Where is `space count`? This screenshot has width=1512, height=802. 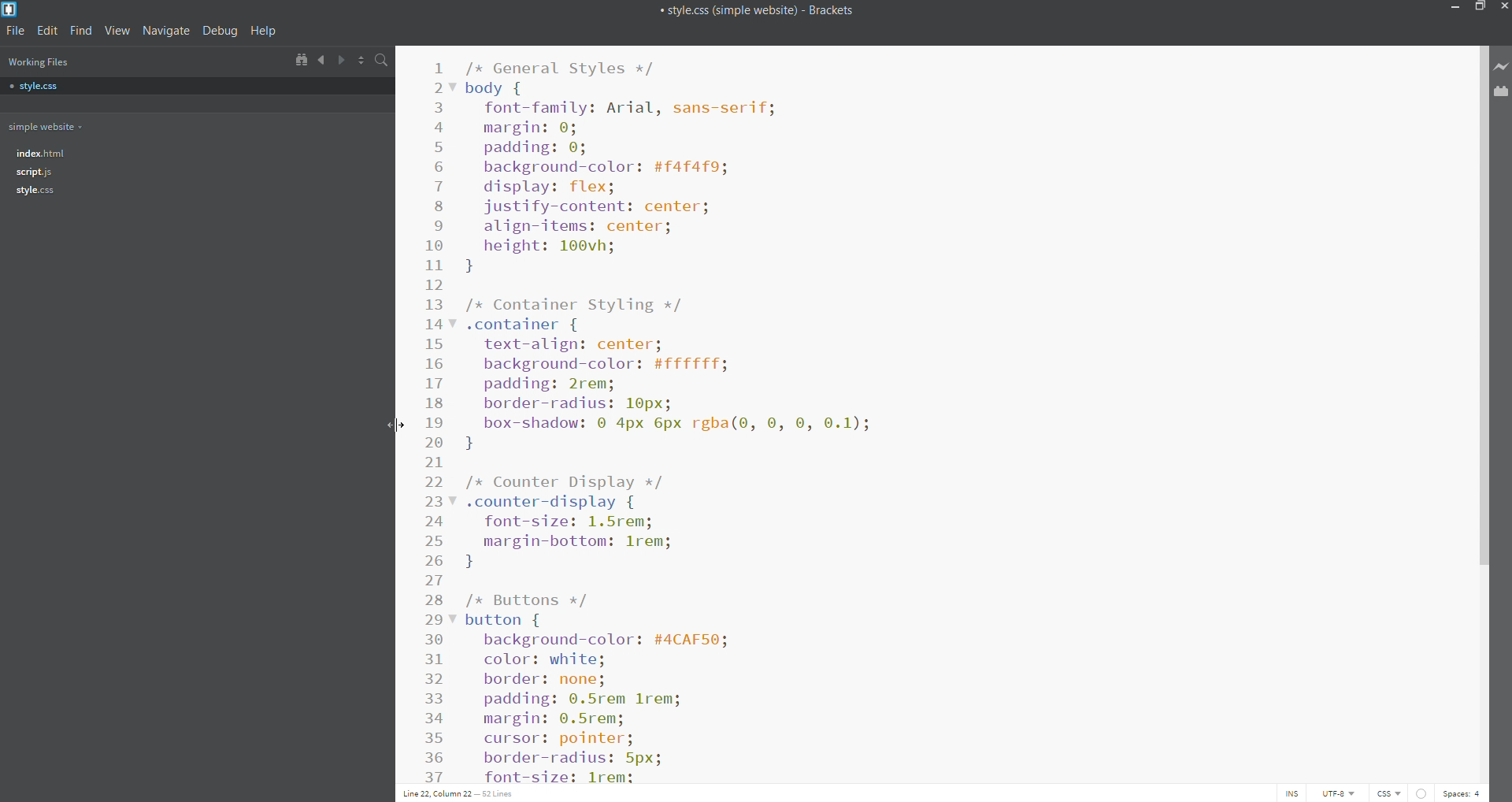 space count is located at coordinates (1462, 793).